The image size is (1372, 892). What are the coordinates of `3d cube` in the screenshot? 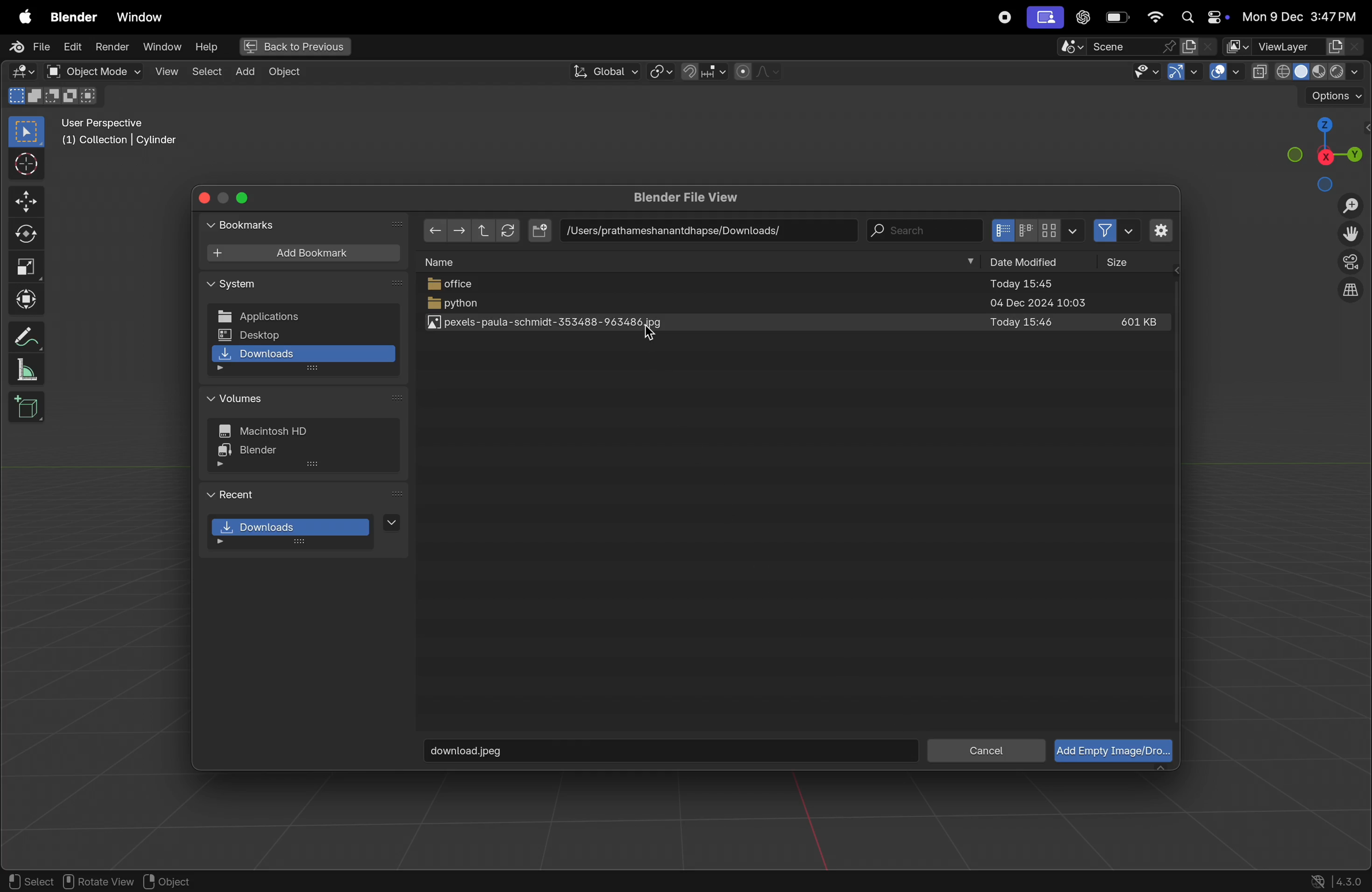 It's located at (27, 407).